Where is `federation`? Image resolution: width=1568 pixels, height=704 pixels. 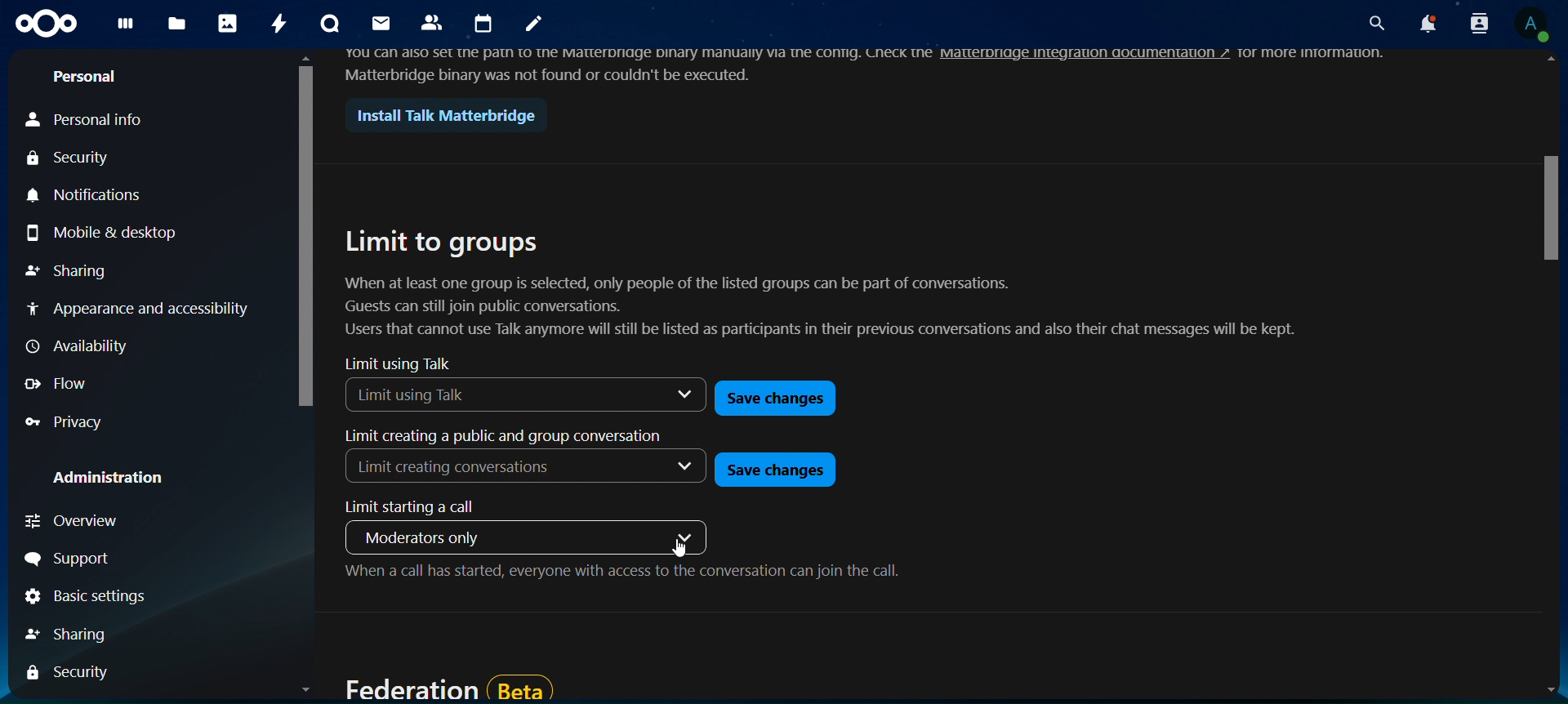 federation is located at coordinates (448, 687).